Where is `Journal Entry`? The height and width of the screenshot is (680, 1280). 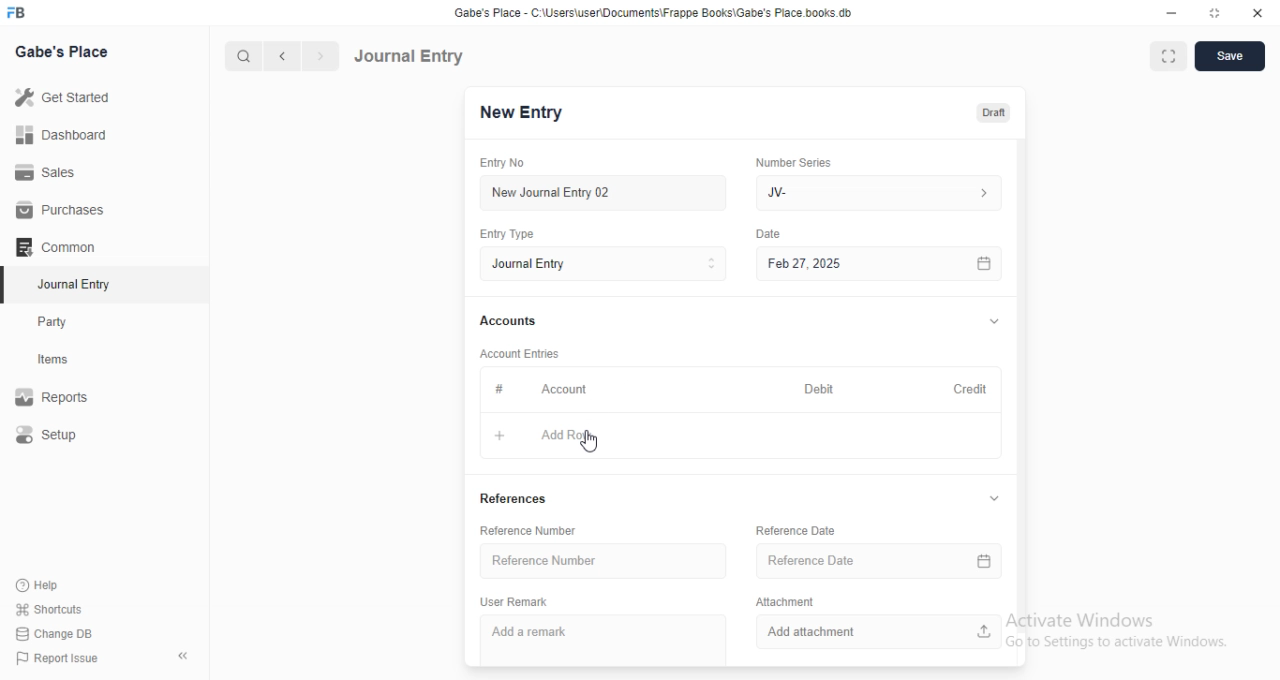
Journal Entry is located at coordinates (70, 284).